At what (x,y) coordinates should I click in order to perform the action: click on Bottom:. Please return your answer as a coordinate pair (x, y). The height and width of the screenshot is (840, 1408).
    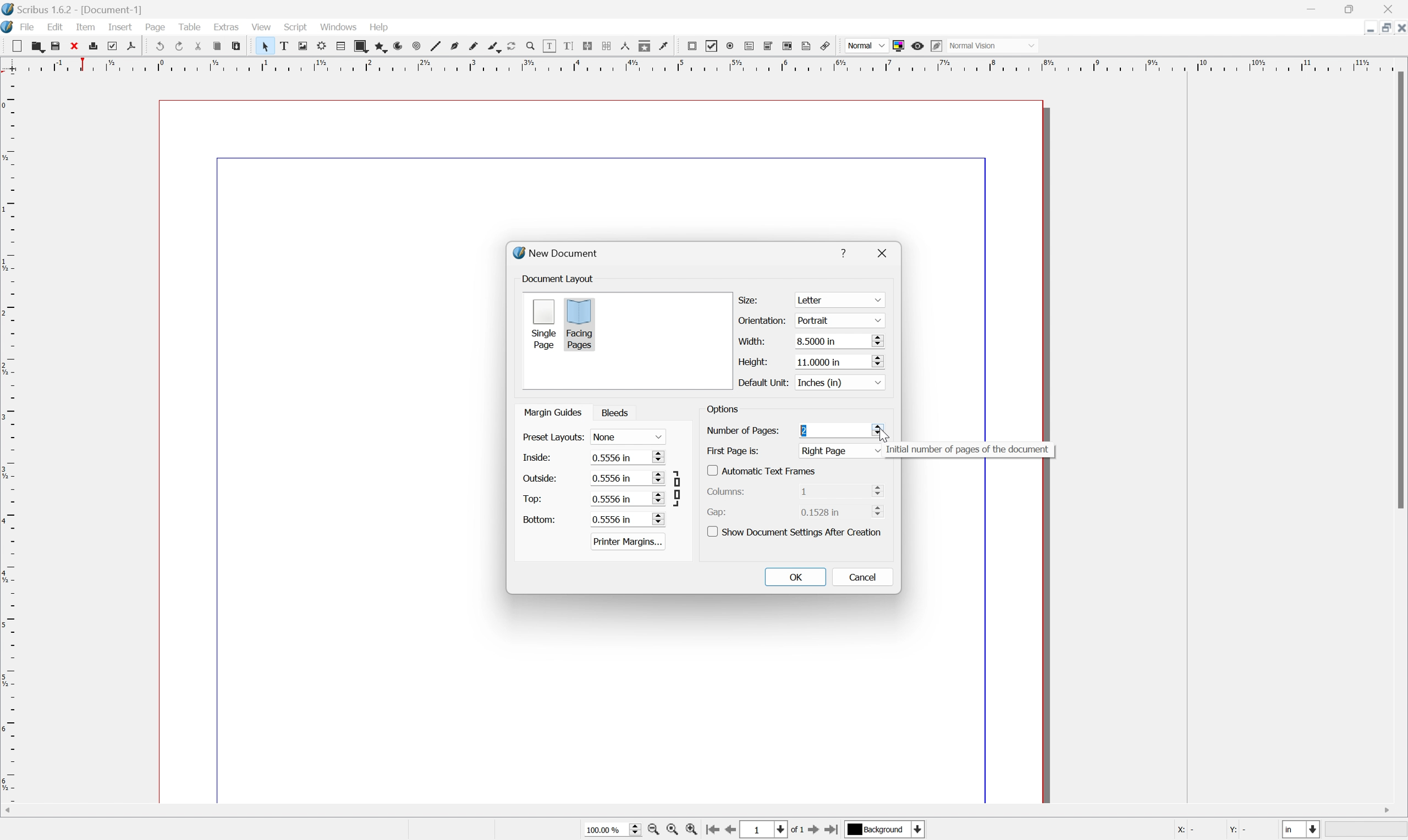
    Looking at the image, I should click on (540, 519).